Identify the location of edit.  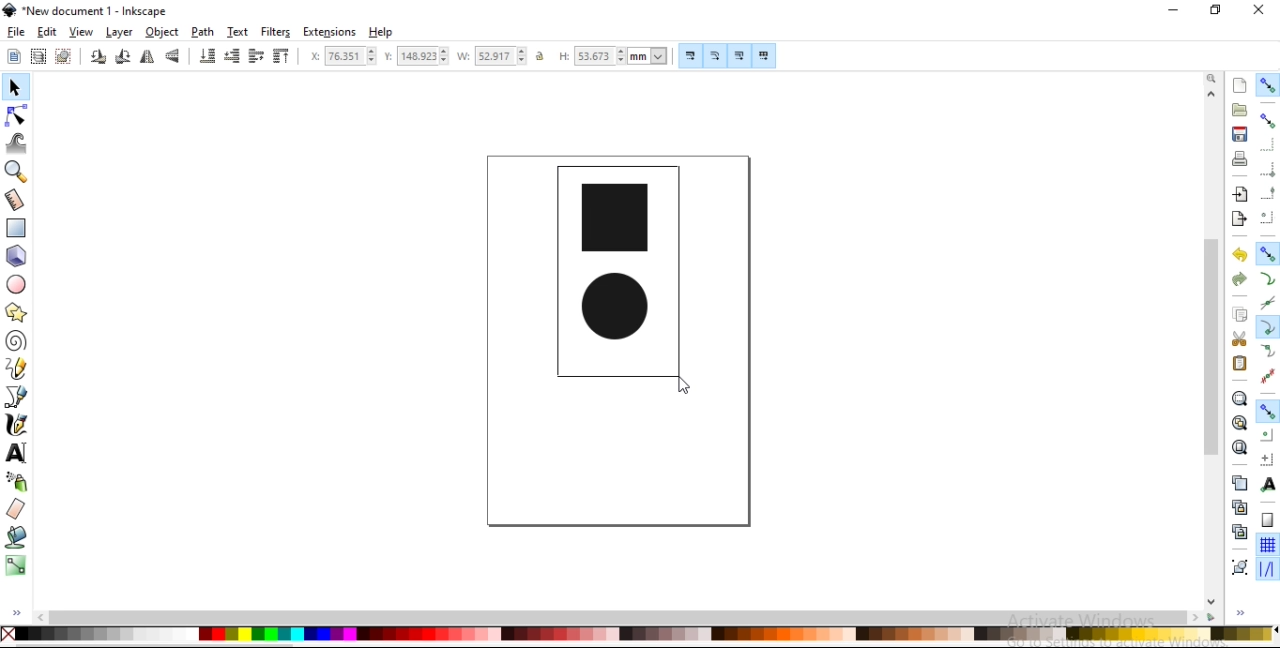
(47, 32).